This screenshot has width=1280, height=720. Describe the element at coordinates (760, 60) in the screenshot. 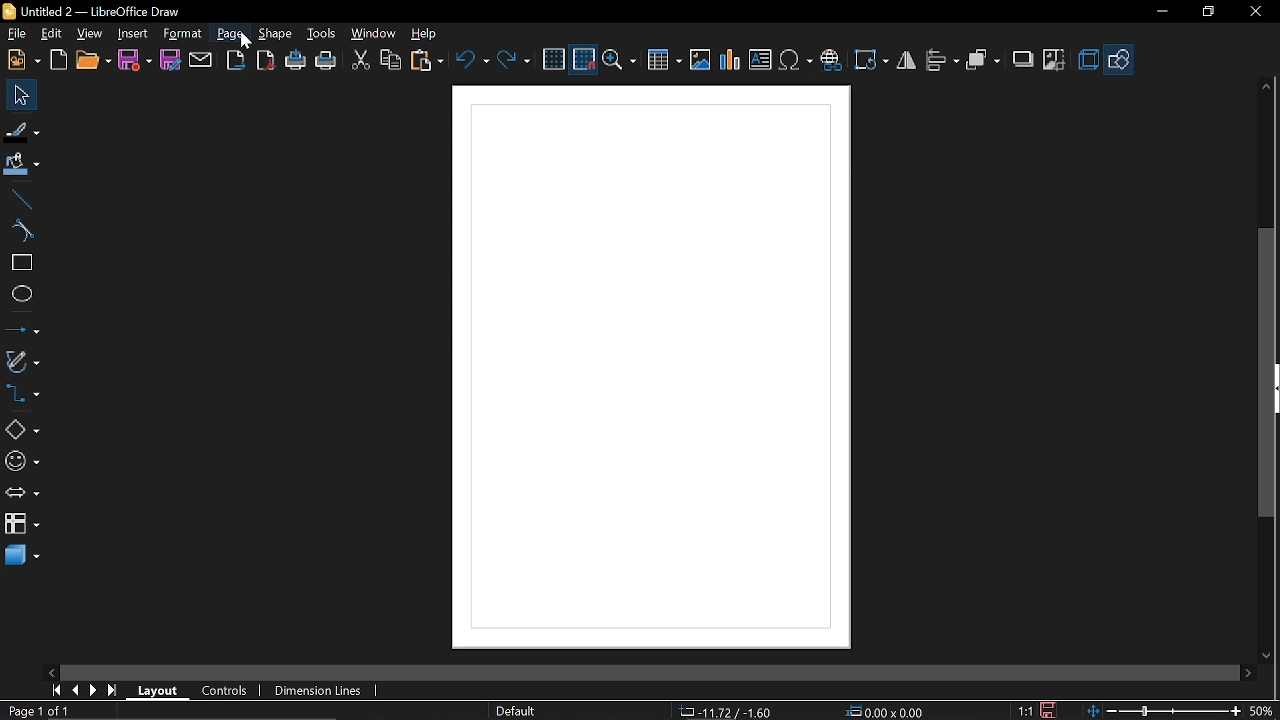

I see `Insert text` at that location.